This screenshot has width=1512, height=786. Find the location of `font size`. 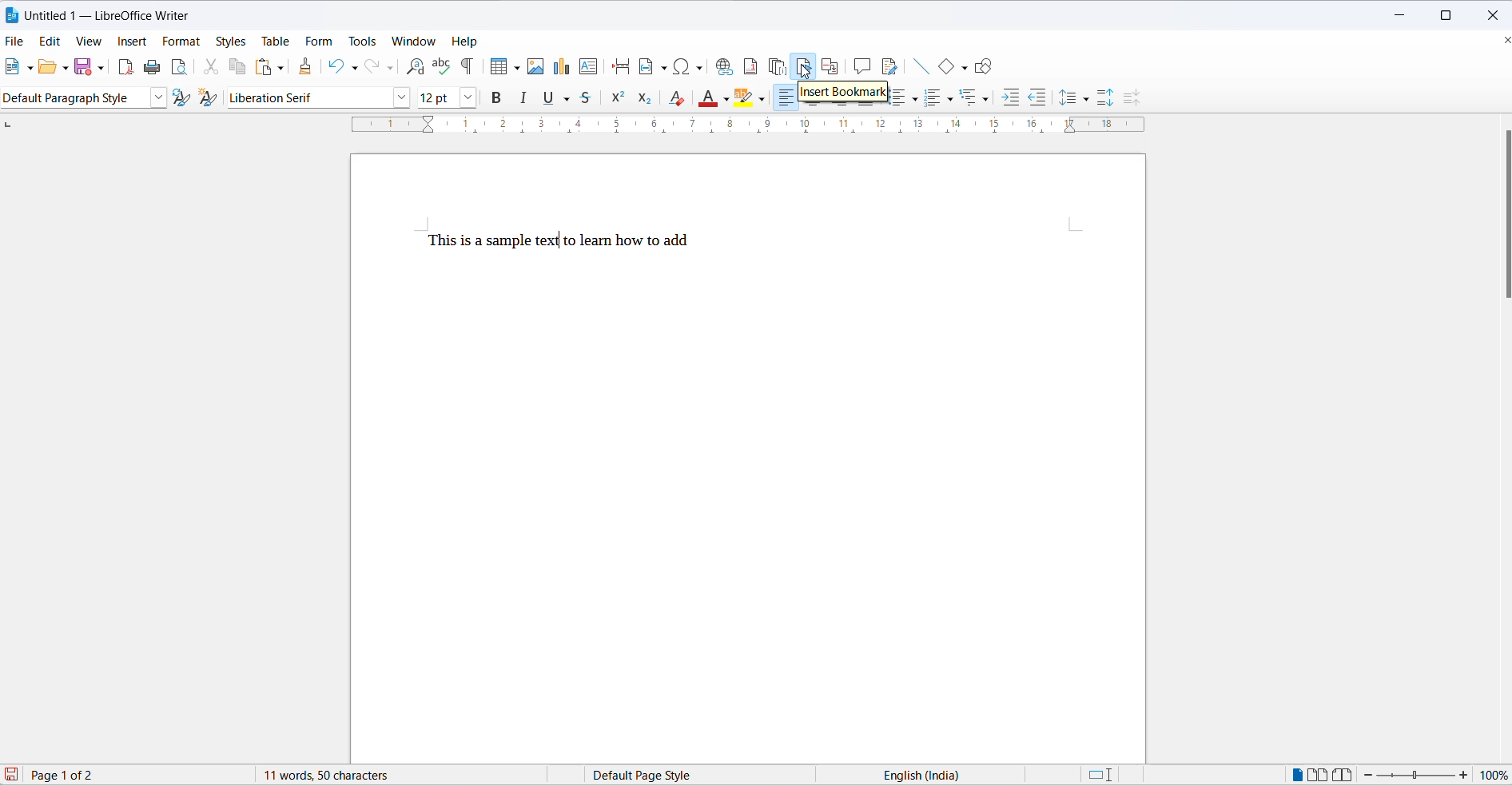

font size is located at coordinates (436, 98).